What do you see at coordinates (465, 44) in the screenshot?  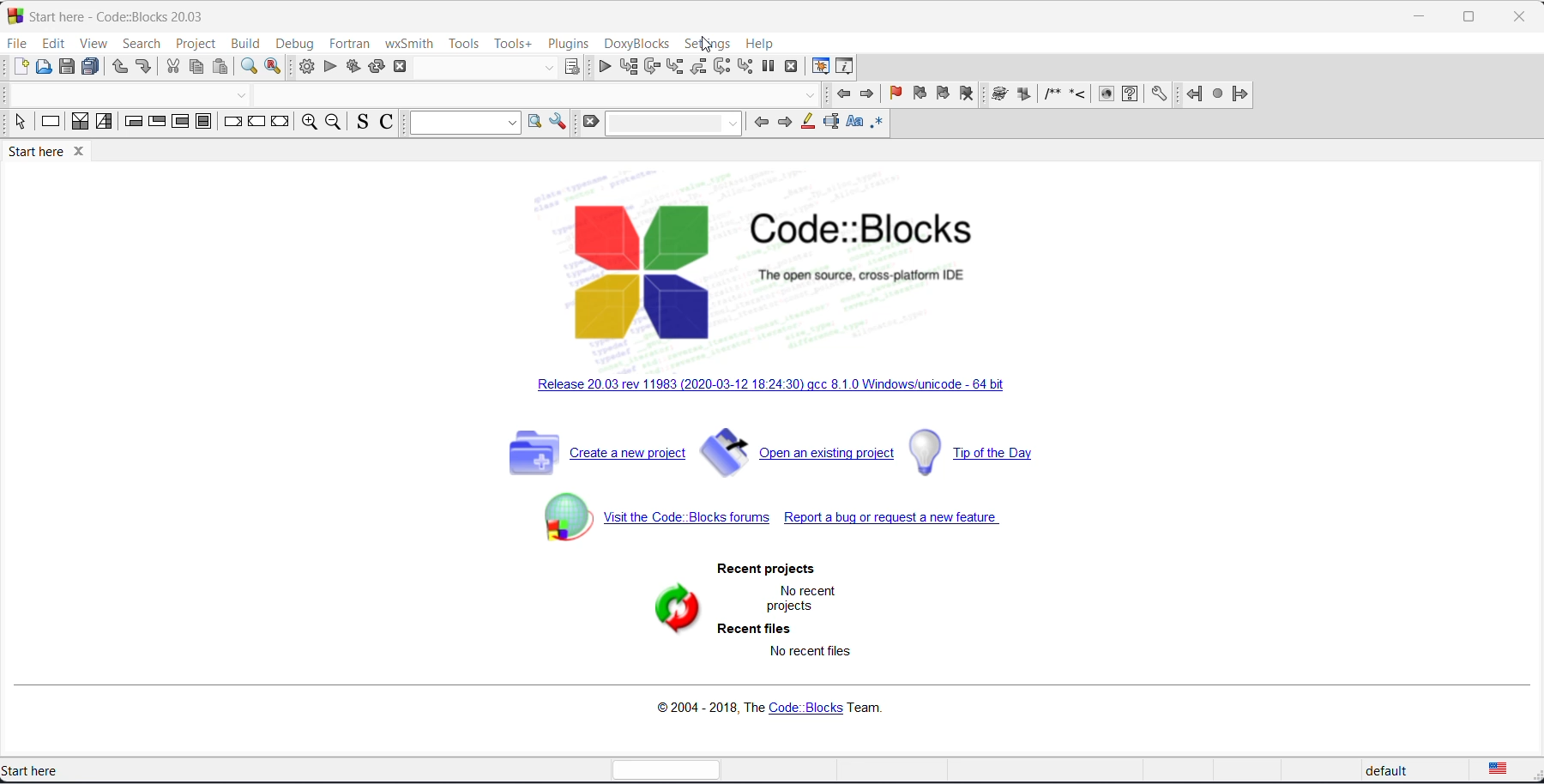 I see `tools` at bounding box center [465, 44].